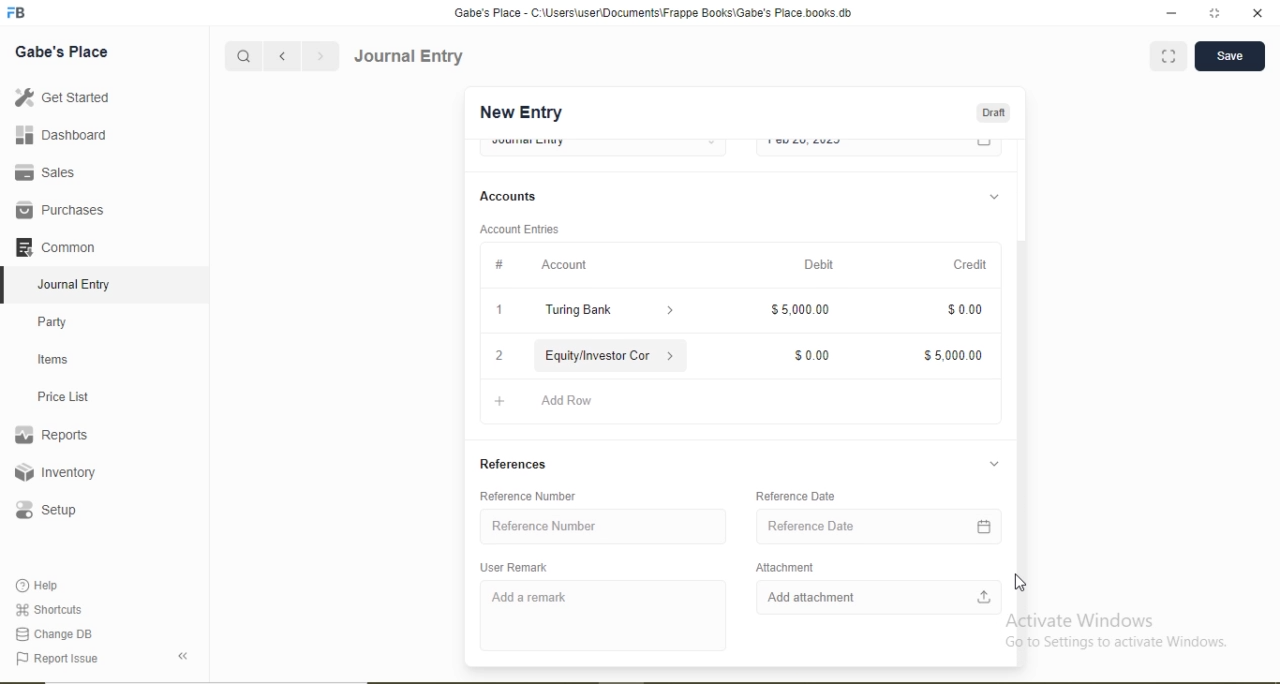  Describe the element at coordinates (45, 510) in the screenshot. I see `Setup` at that location.